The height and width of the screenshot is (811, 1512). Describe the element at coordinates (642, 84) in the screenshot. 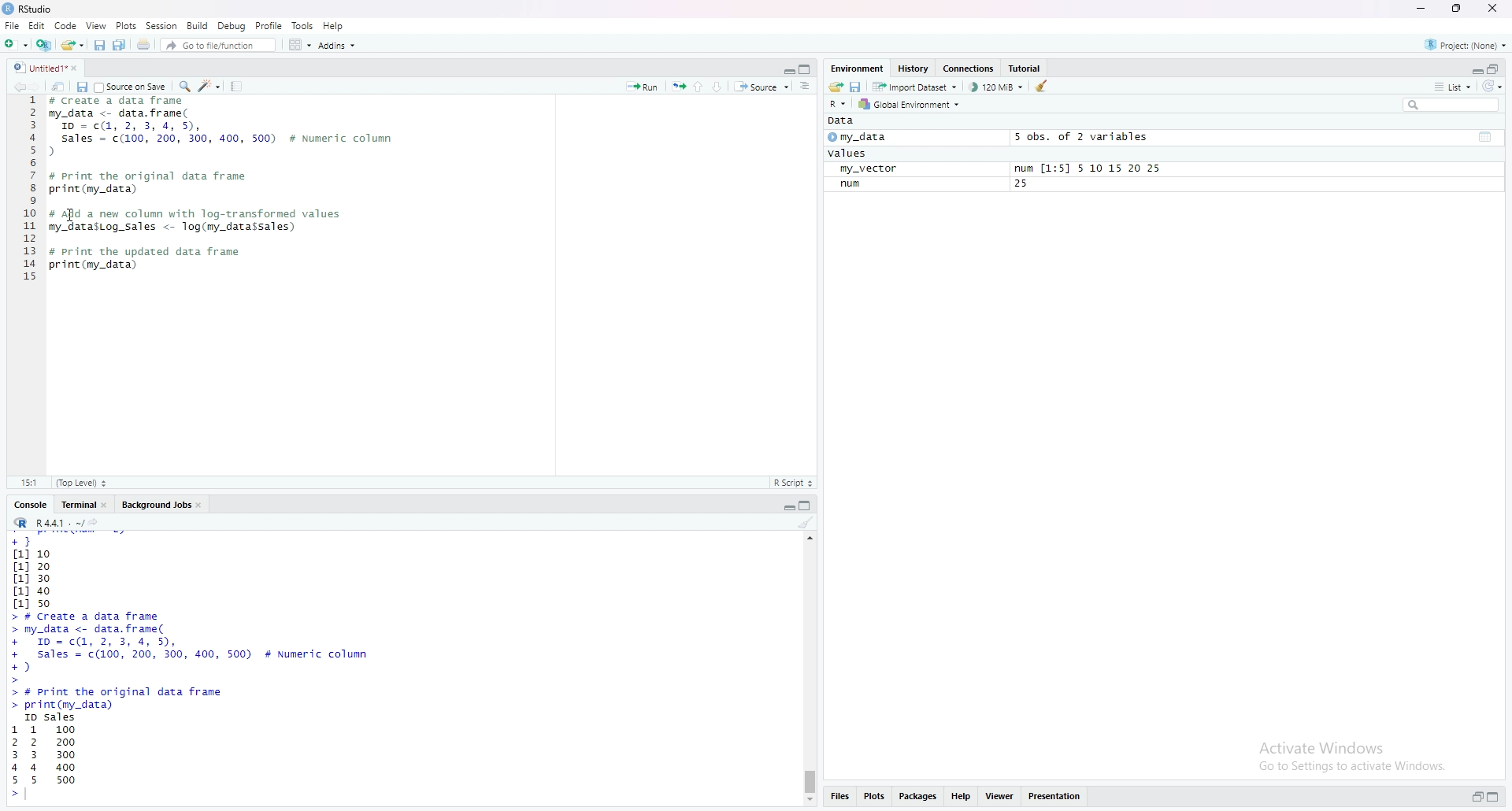

I see `run the current line or selection` at that location.